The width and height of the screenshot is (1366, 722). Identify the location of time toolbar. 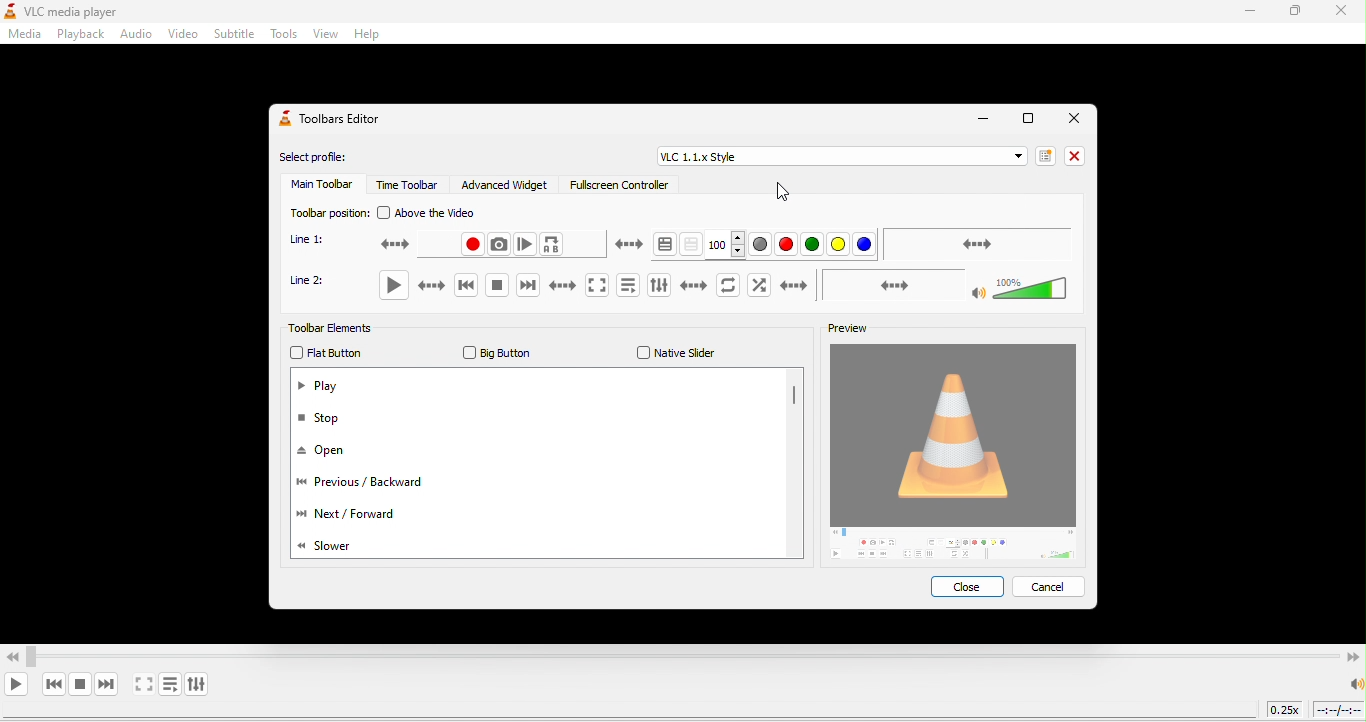
(409, 185).